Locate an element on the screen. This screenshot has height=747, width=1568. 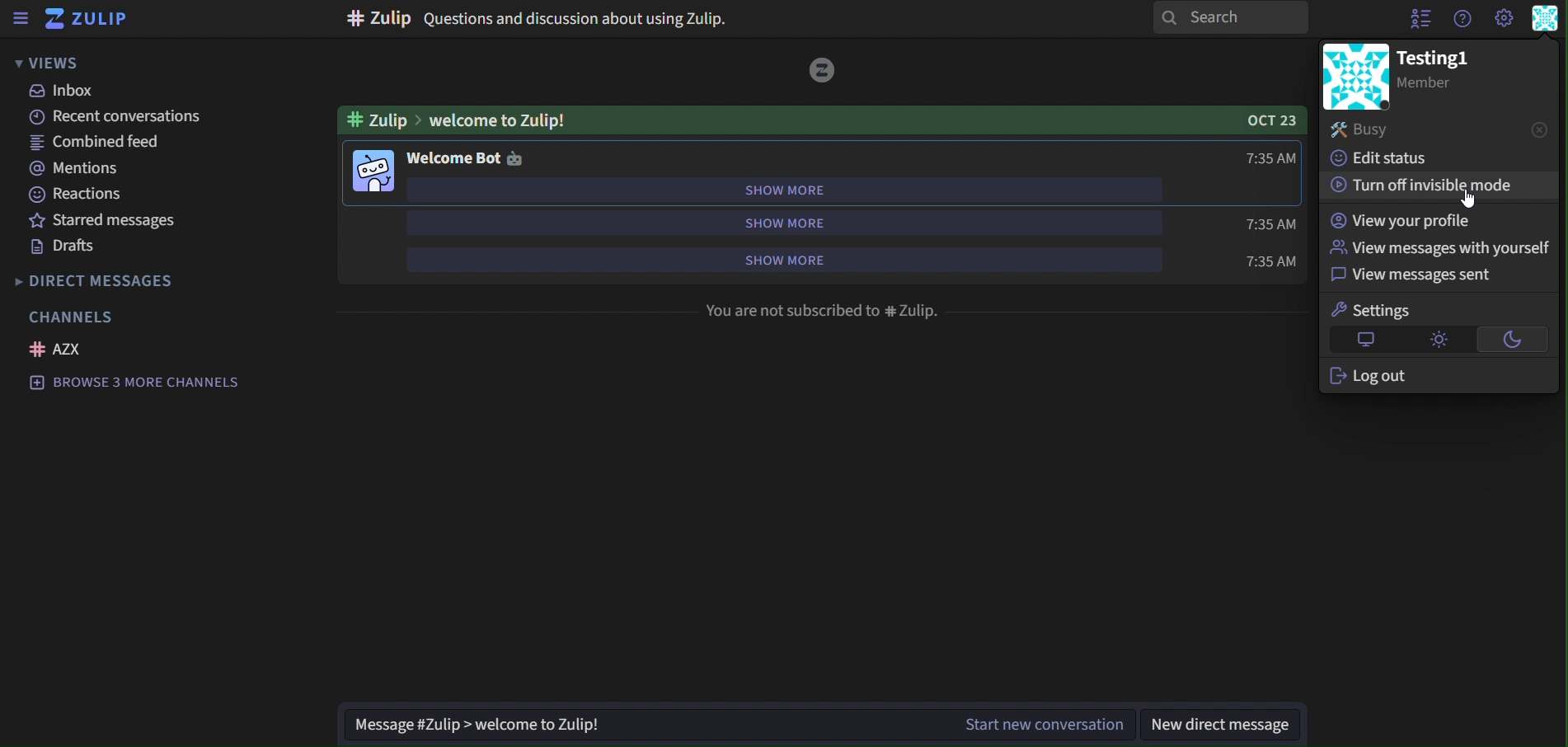
time is located at coordinates (1270, 159).